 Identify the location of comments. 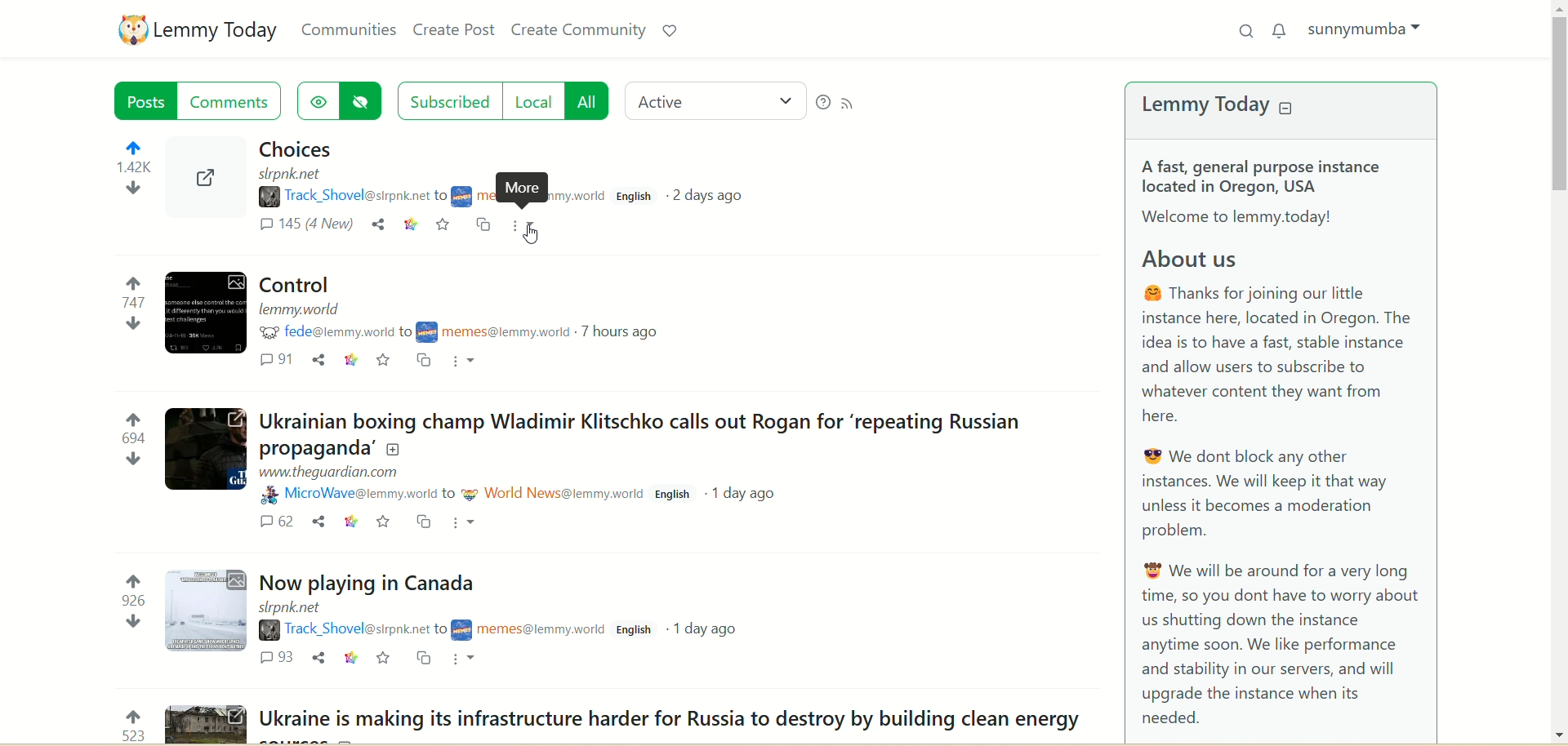
(308, 229).